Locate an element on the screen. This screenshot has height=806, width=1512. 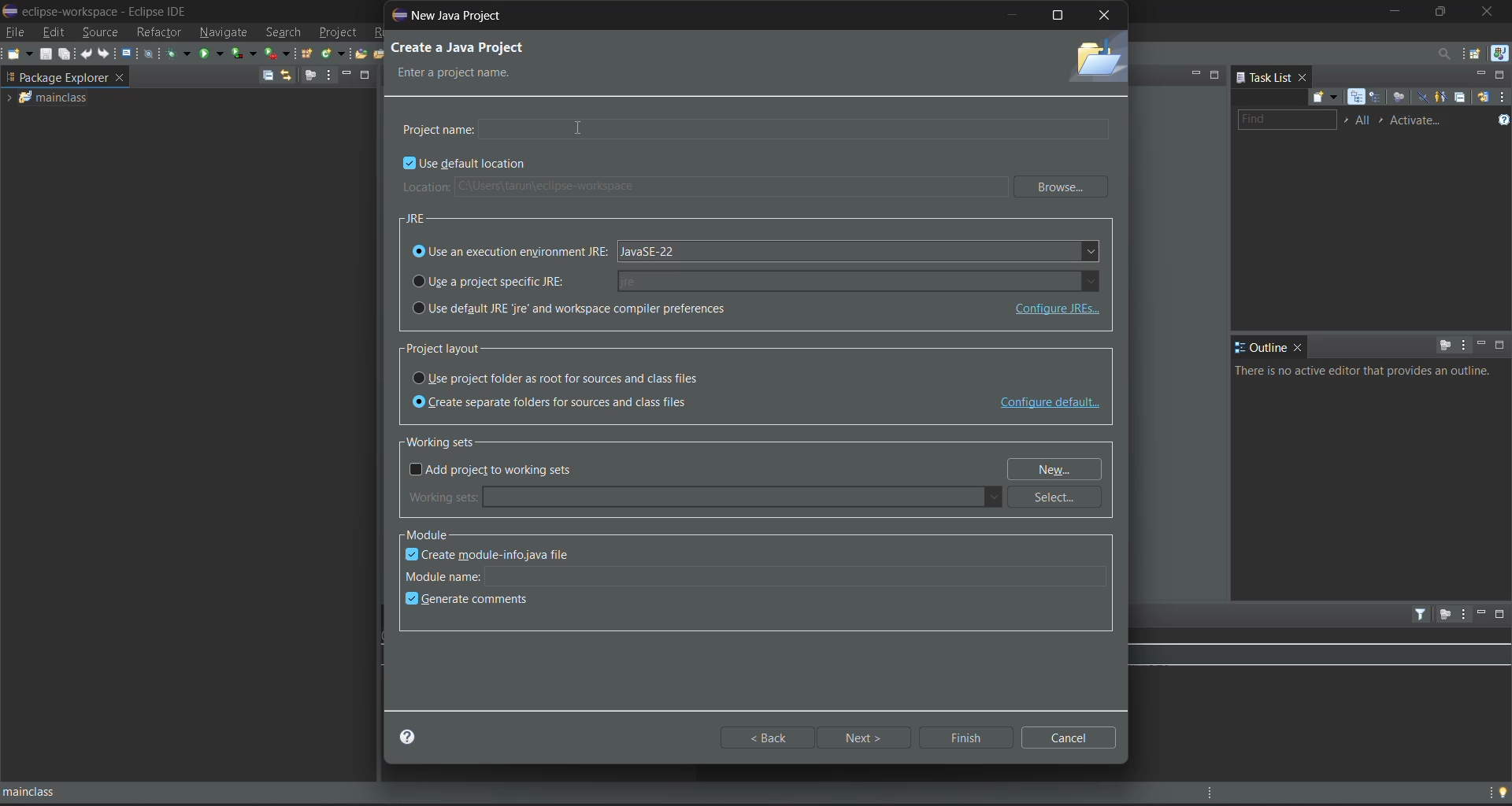
select working set is located at coordinates (1346, 120).